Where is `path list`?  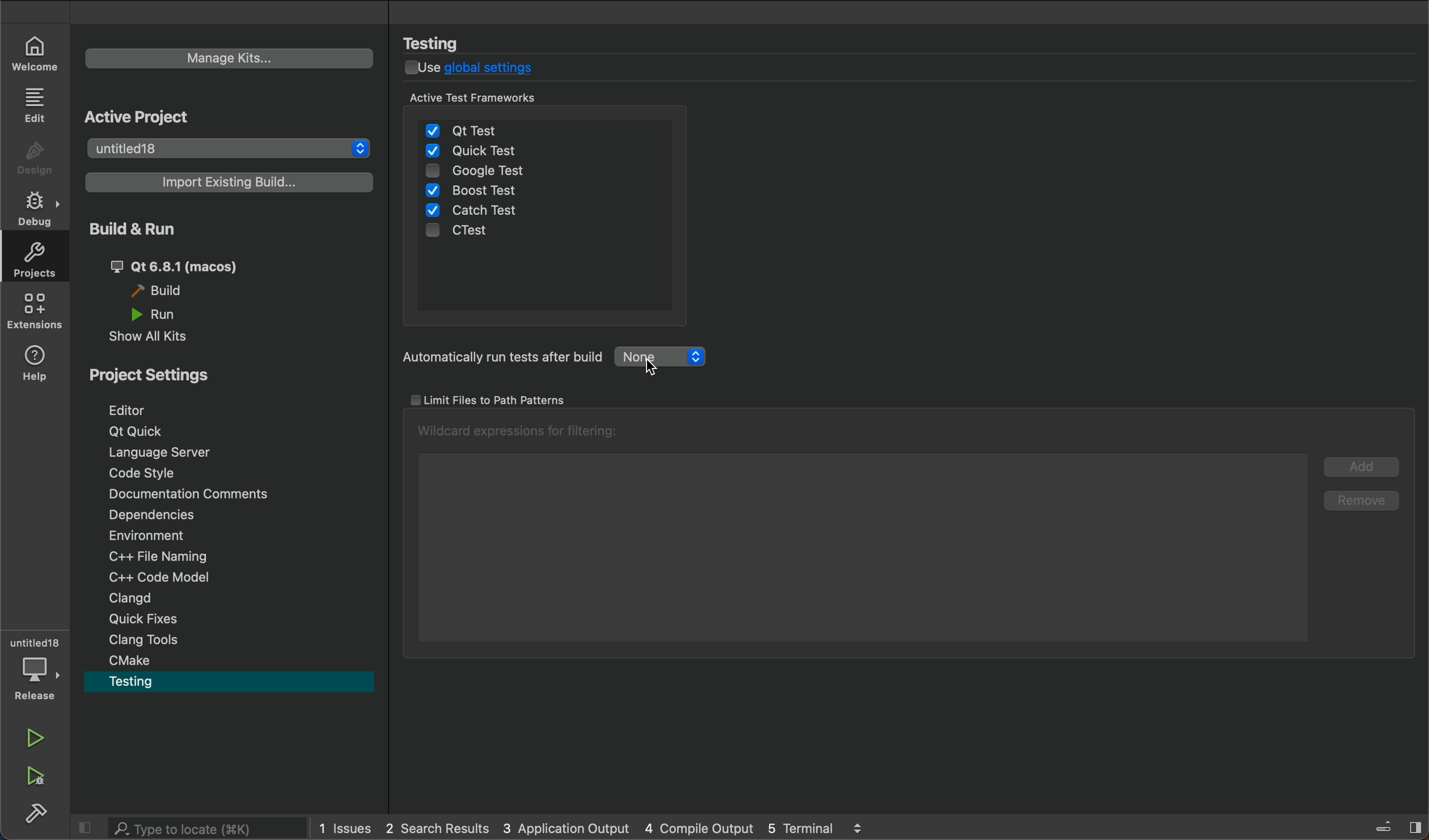
path list is located at coordinates (856, 534).